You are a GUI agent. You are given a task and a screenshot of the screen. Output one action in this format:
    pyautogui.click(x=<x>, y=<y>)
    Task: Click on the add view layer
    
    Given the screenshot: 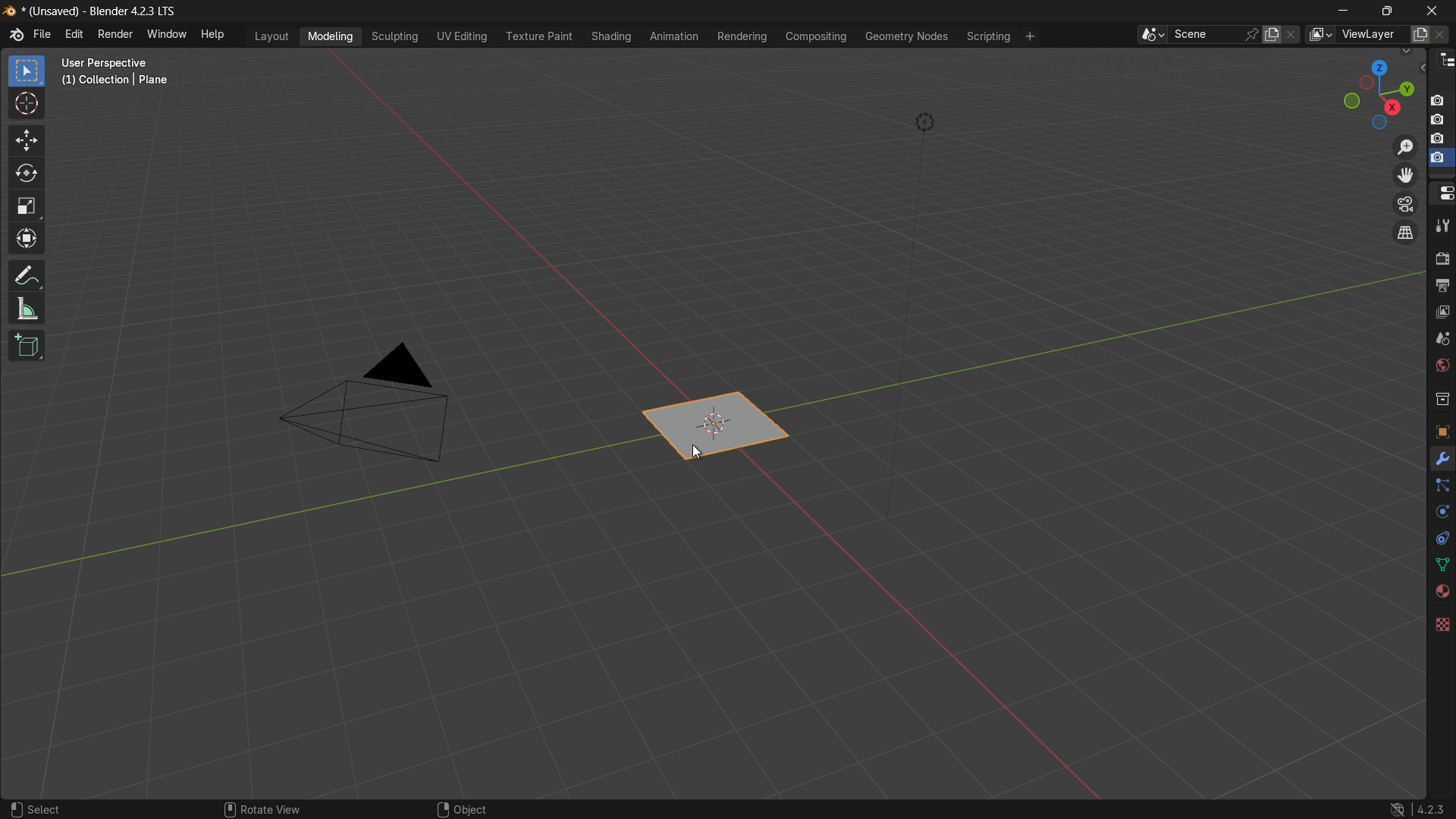 What is the action you would take?
    pyautogui.click(x=1418, y=34)
    